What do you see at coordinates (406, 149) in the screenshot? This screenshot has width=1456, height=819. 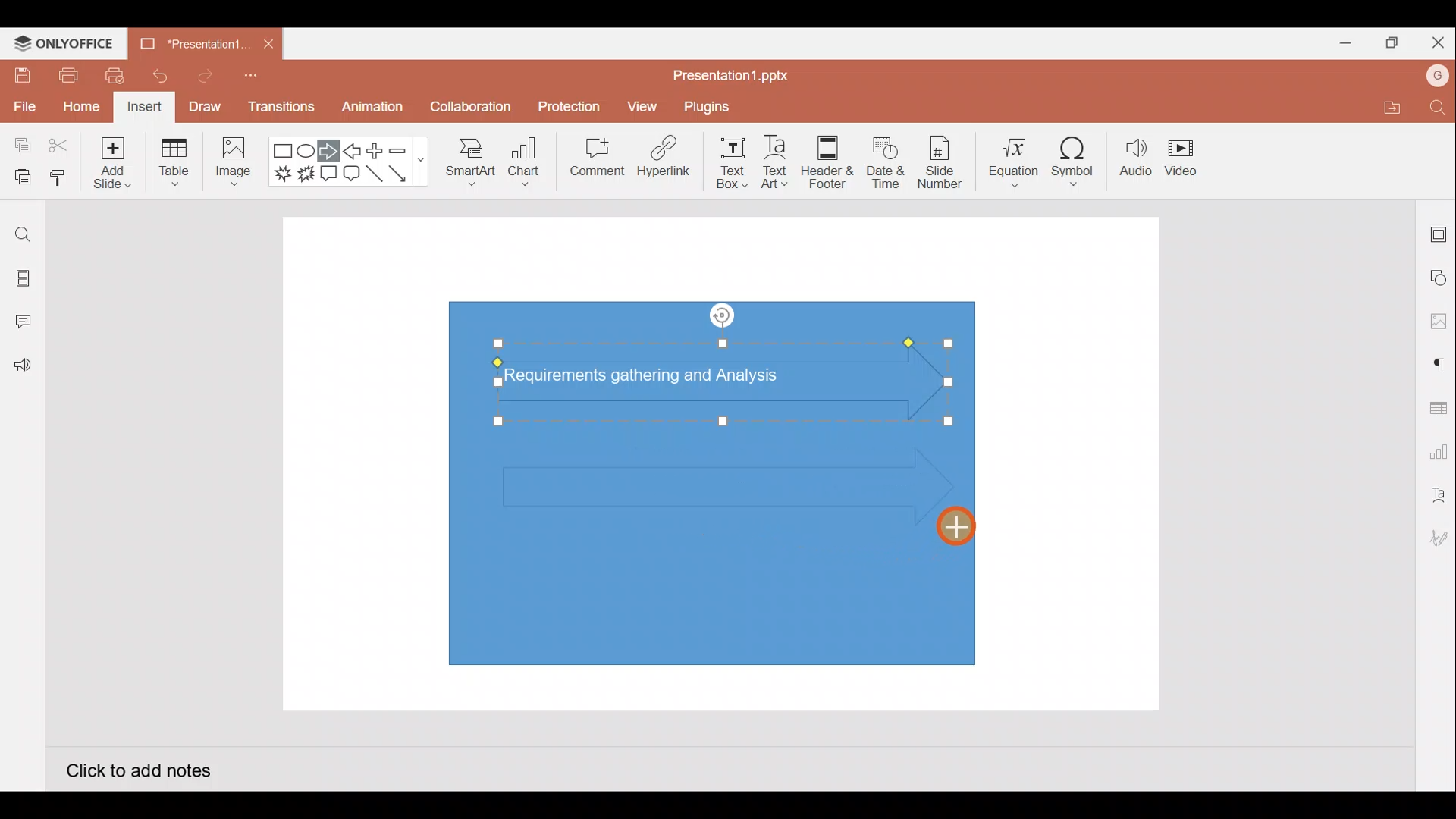 I see `Minus` at bounding box center [406, 149].